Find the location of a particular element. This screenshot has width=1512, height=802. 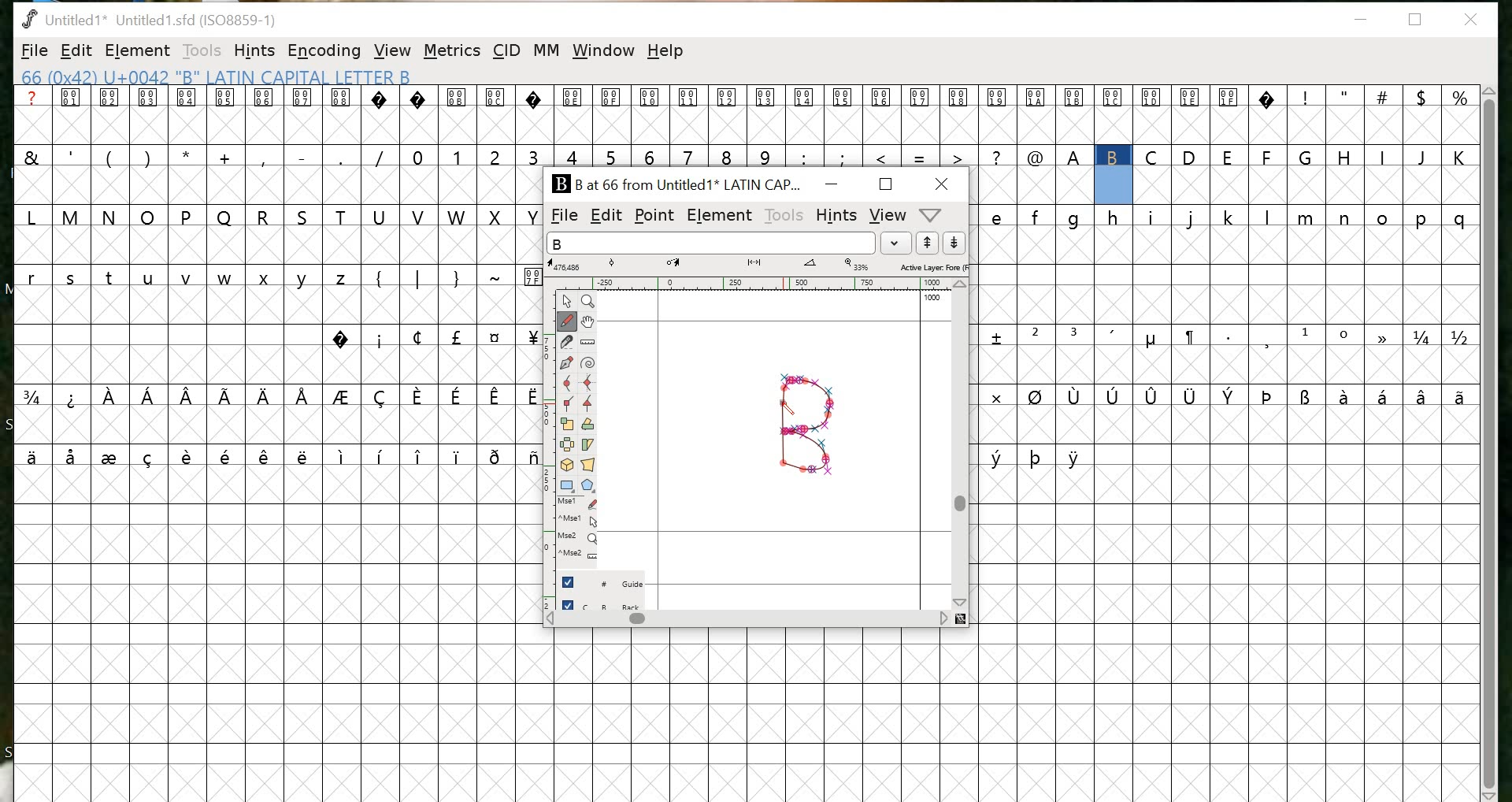

ruler is located at coordinates (748, 284).